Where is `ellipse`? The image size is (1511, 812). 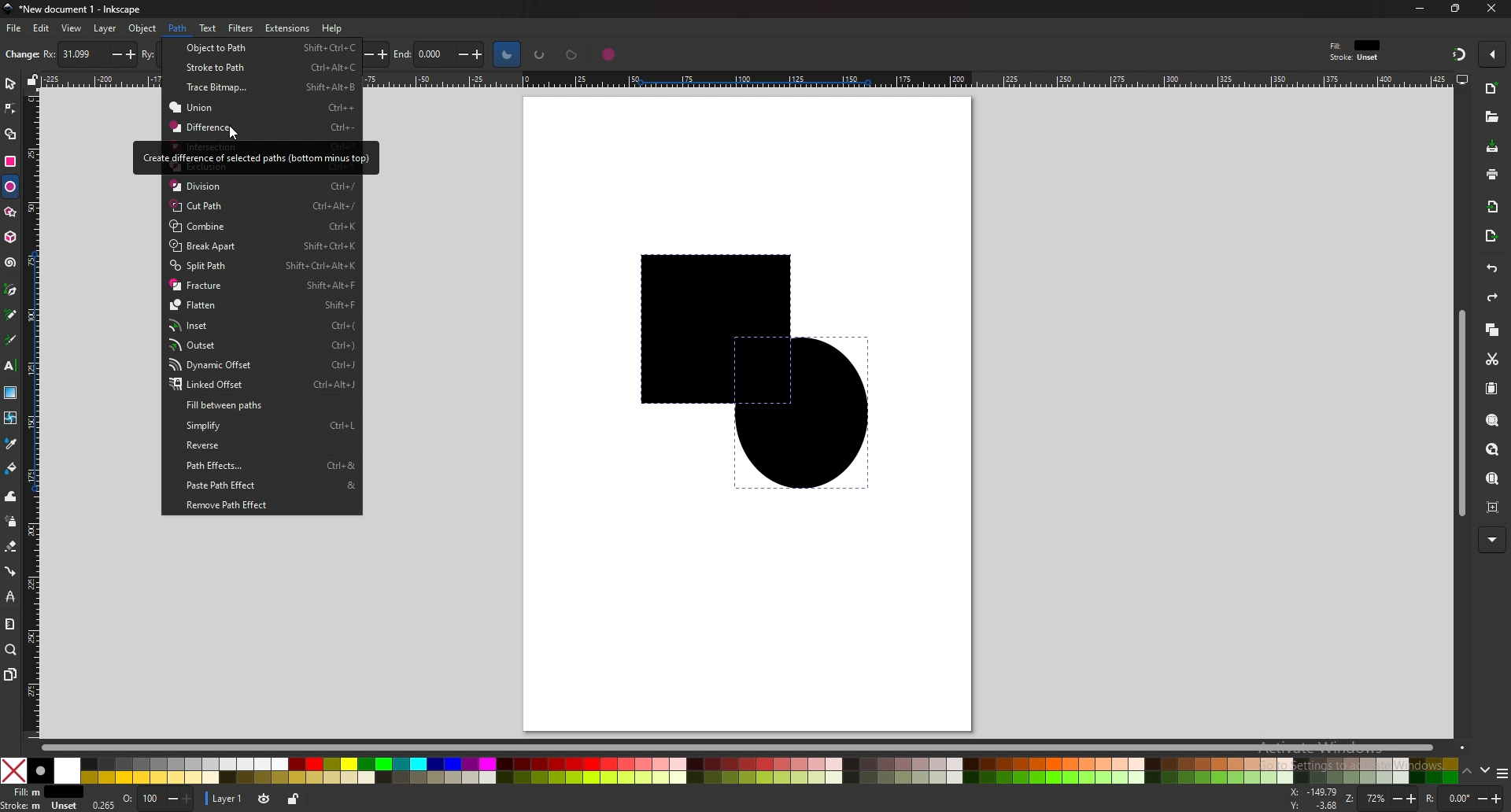 ellipse is located at coordinates (10, 186).